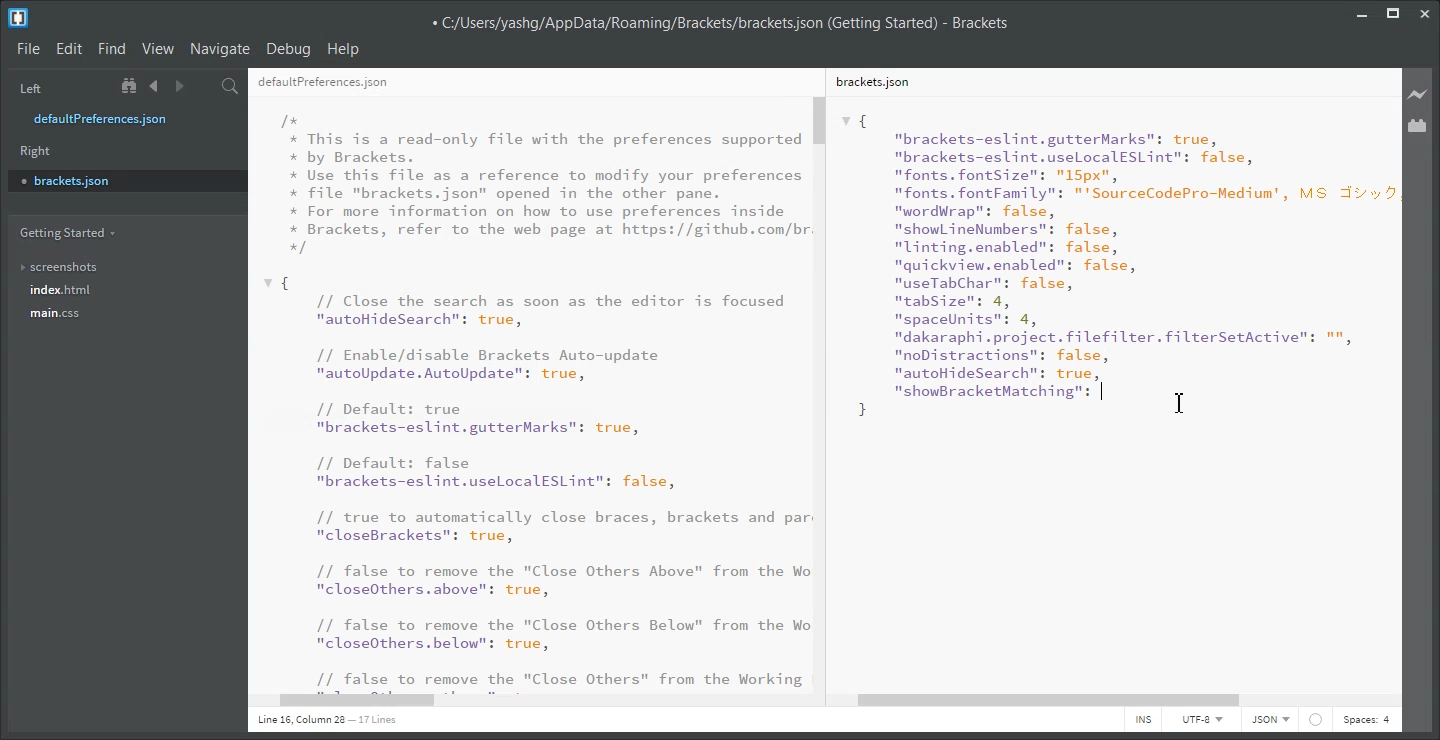 The height and width of the screenshot is (740, 1440). I want to click on cursor, so click(1183, 402).